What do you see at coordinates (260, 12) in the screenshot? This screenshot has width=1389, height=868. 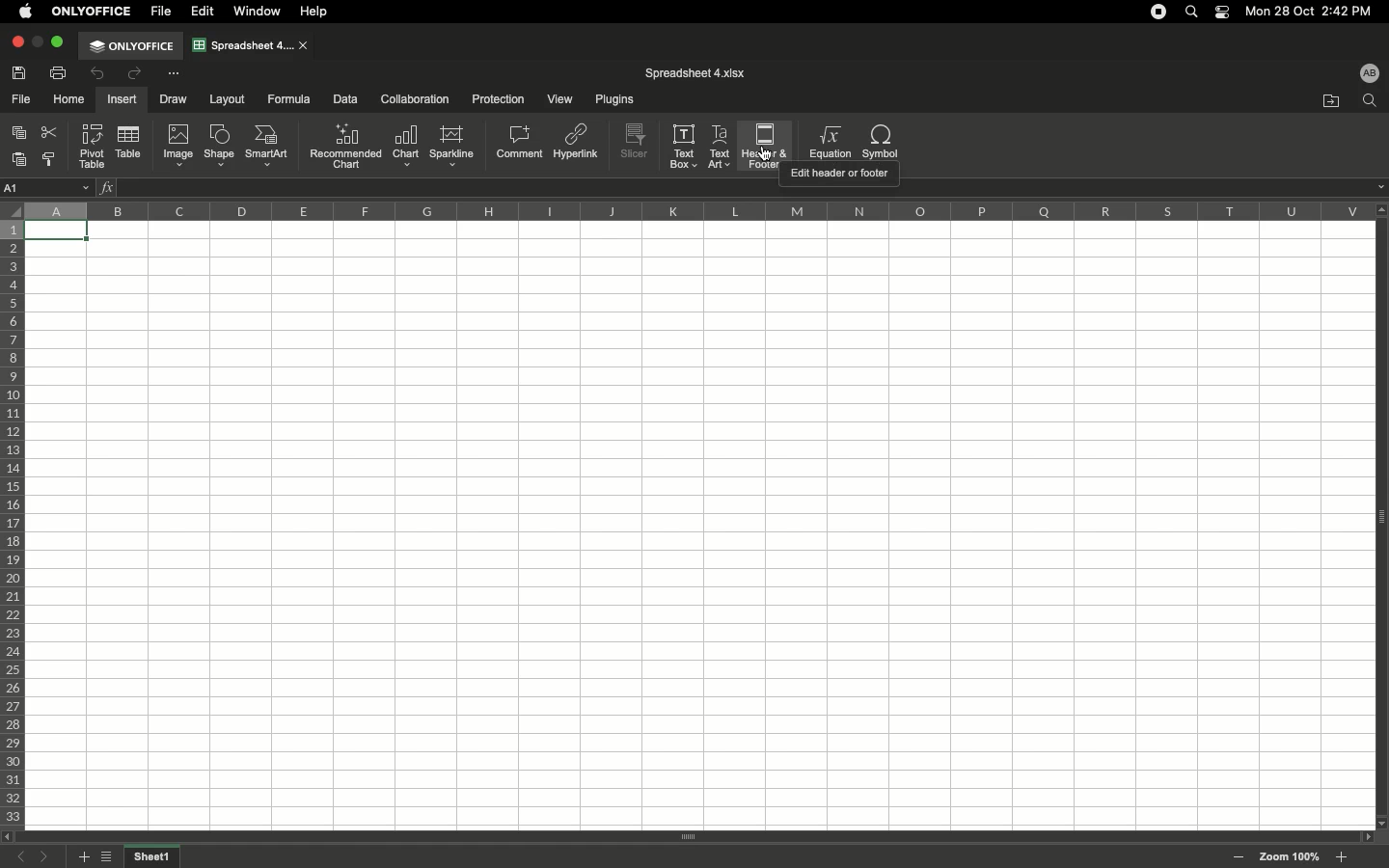 I see `Window` at bounding box center [260, 12].